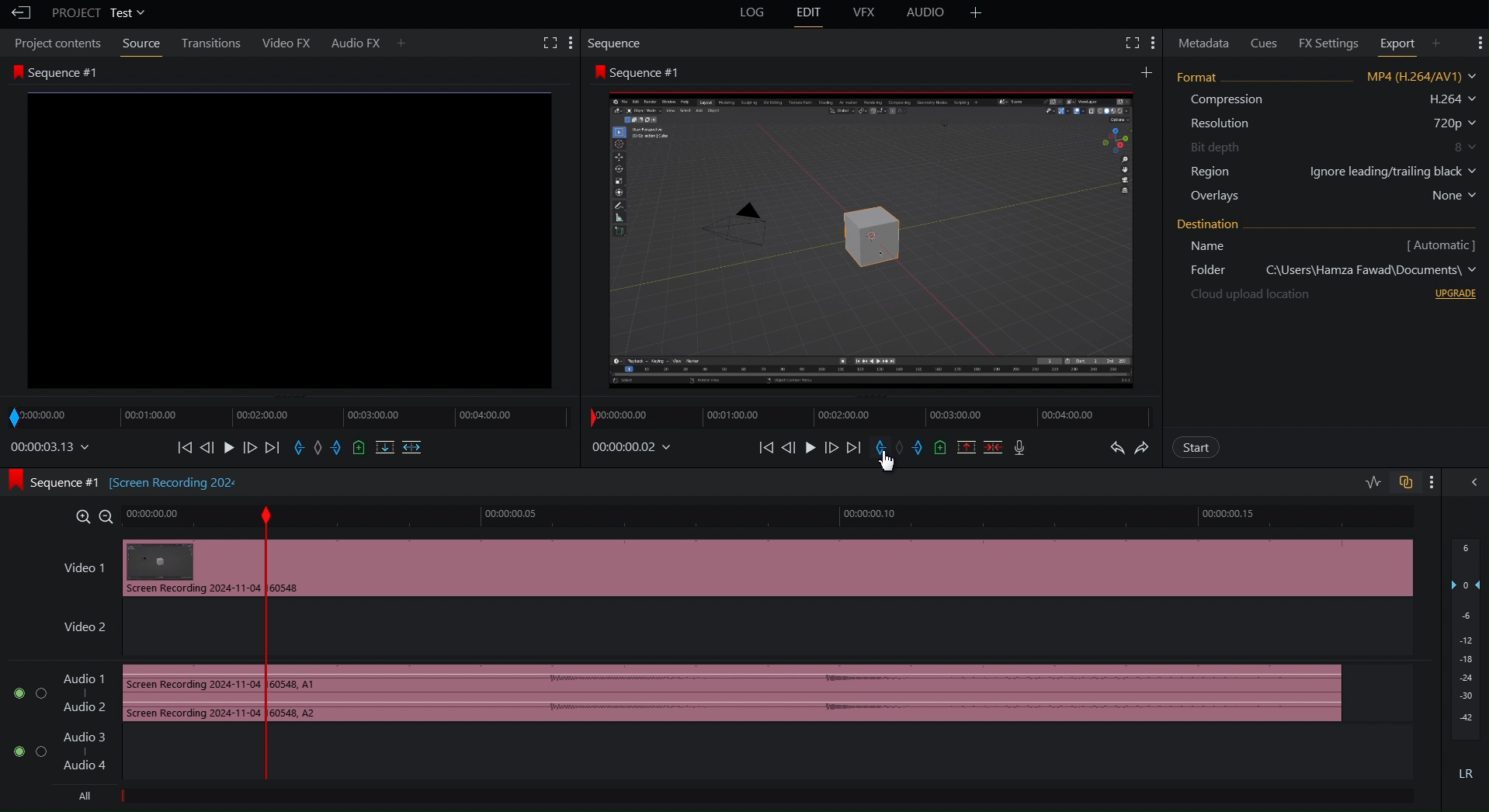 This screenshot has width=1489, height=812. I want to click on Zoom, so click(92, 517).